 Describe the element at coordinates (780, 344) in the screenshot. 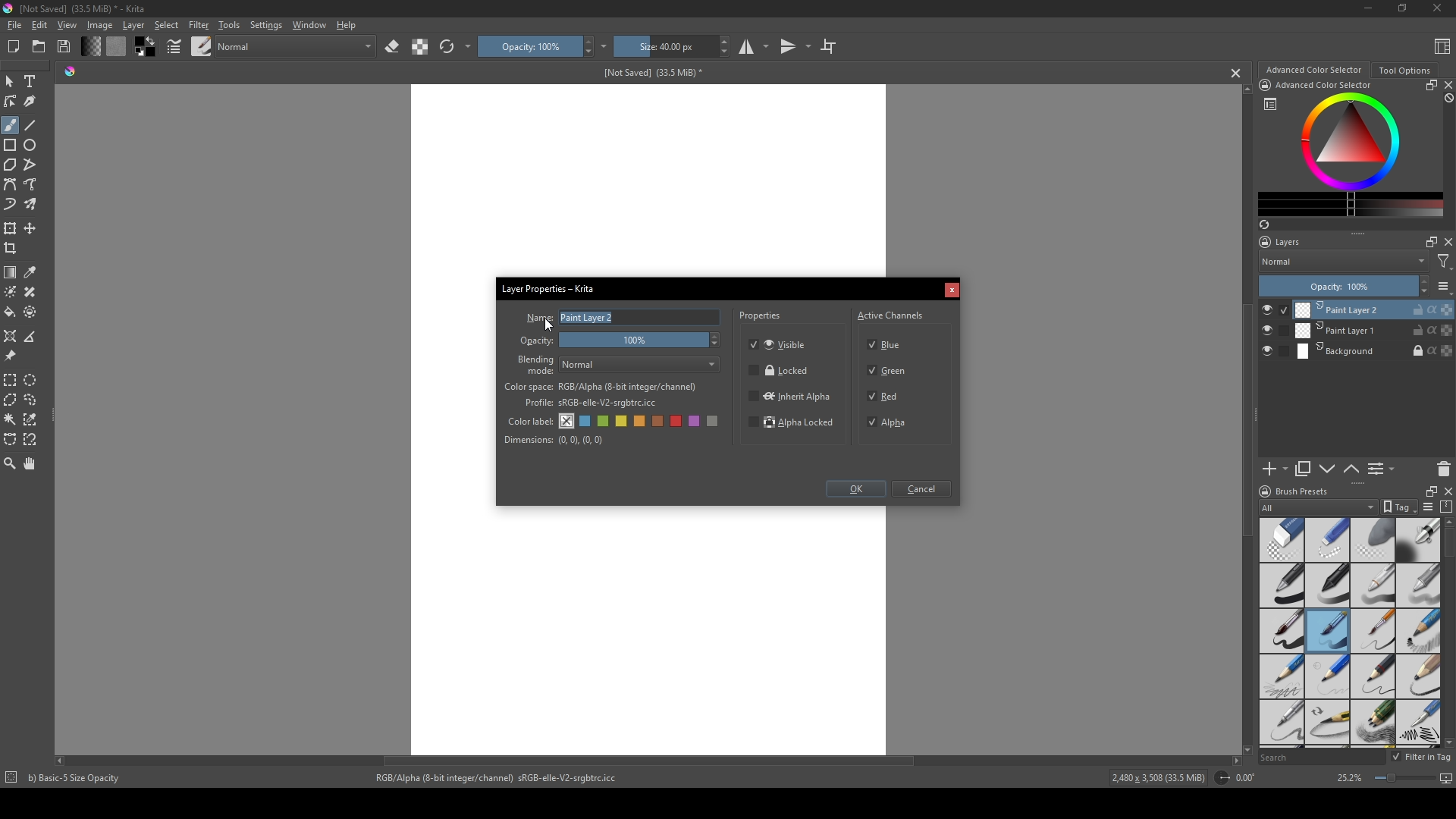

I see `Visible` at that location.